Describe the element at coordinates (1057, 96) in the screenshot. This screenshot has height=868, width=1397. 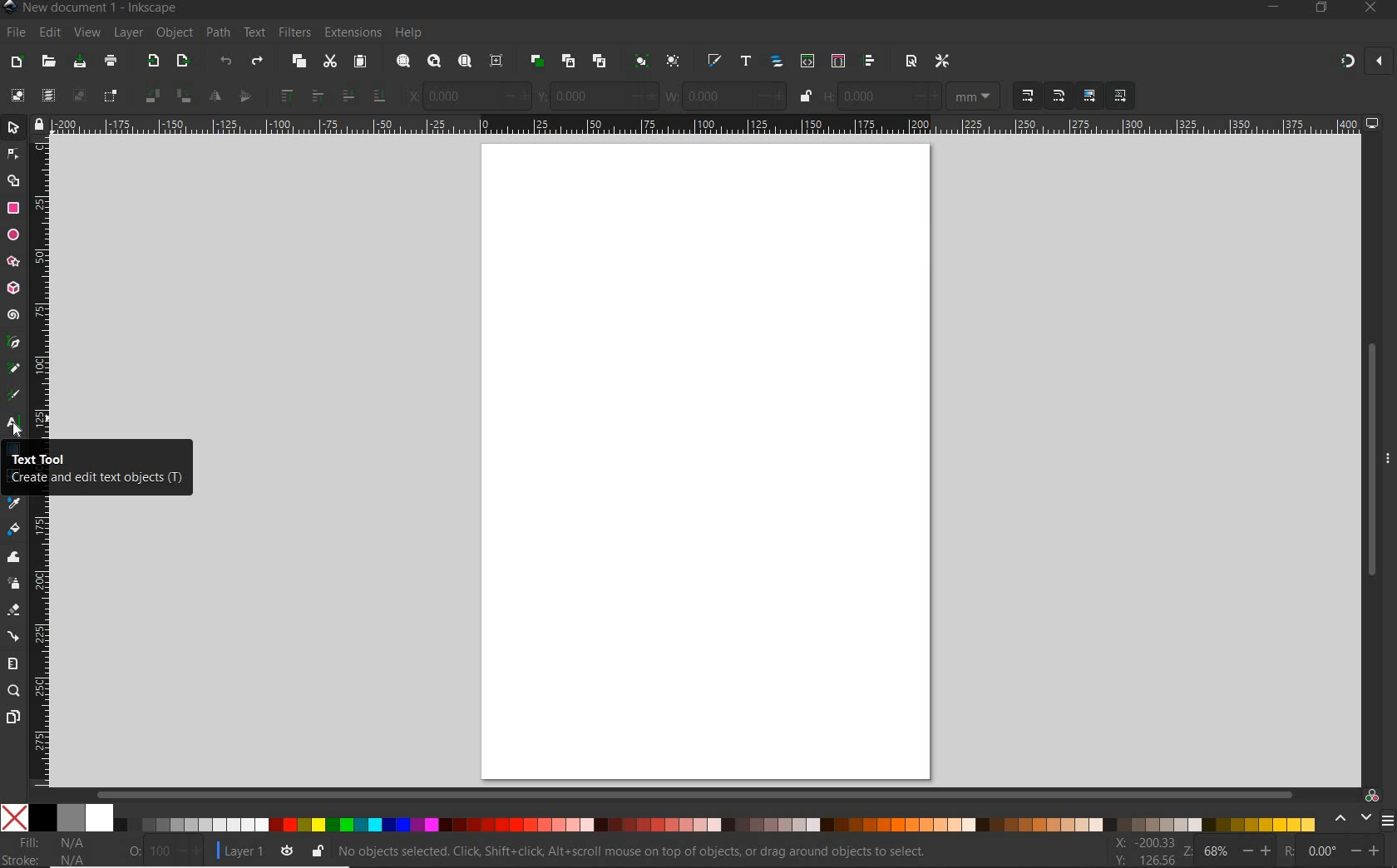
I see `scaling objects` at that location.